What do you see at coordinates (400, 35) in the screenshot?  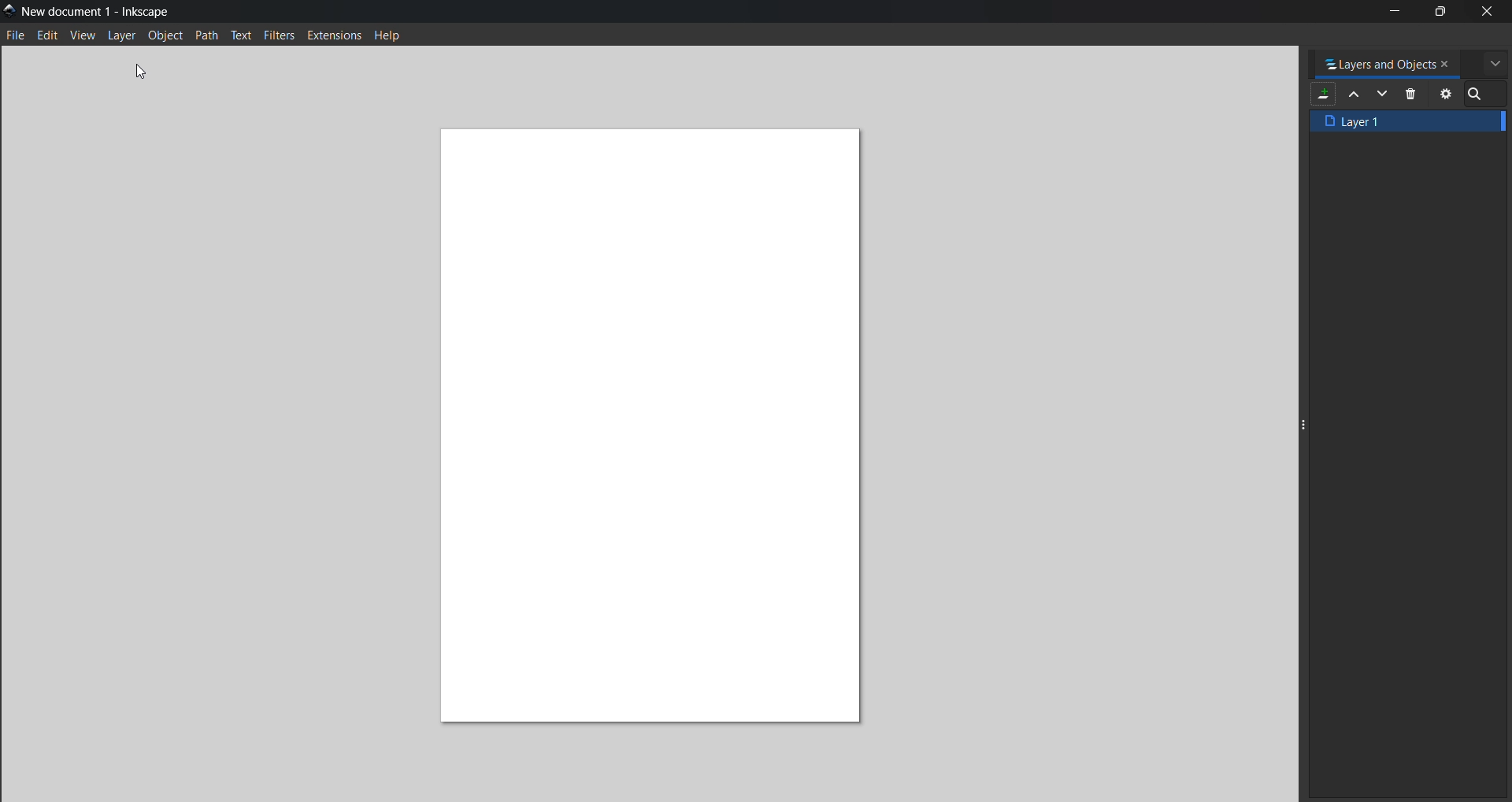 I see `Help` at bounding box center [400, 35].